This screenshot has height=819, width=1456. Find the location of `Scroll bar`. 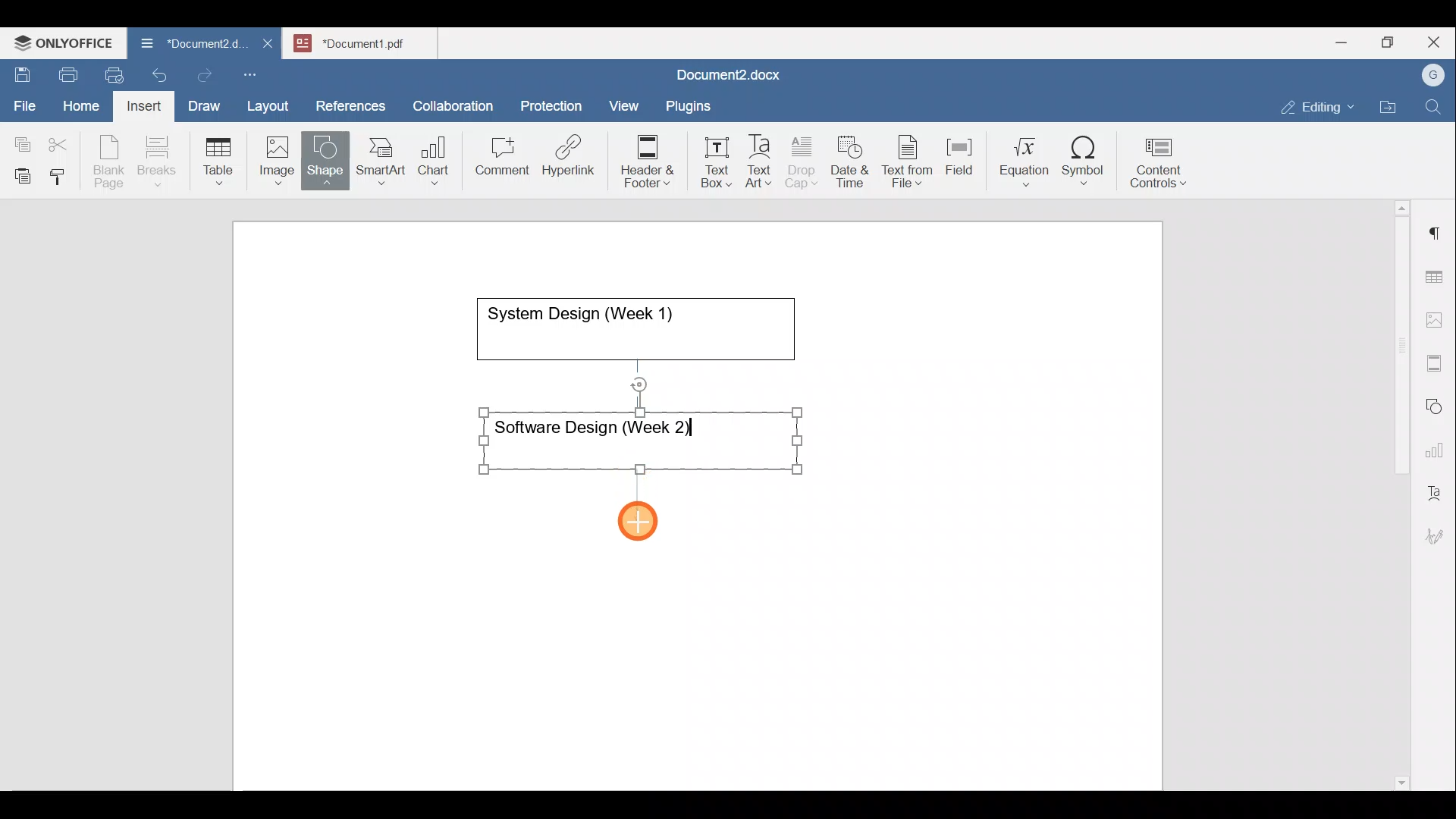

Scroll bar is located at coordinates (1396, 492).